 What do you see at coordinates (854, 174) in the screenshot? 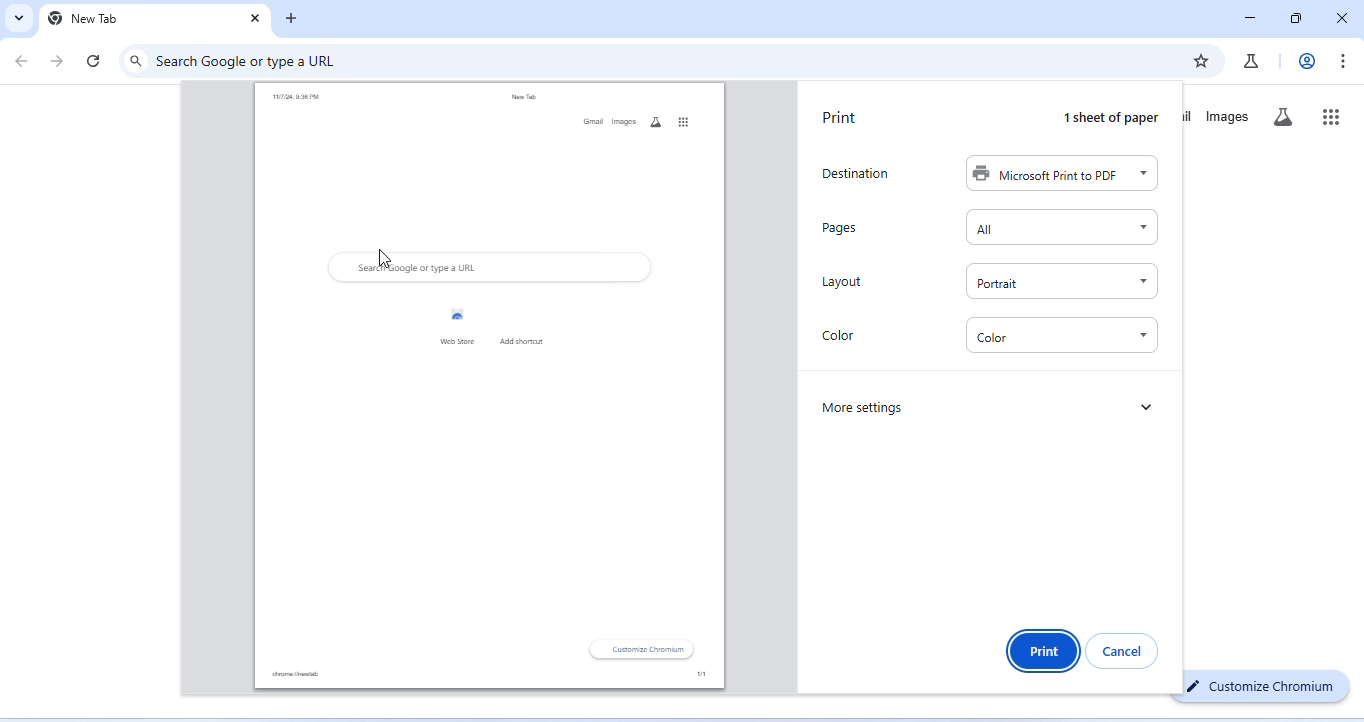
I see `destination` at bounding box center [854, 174].